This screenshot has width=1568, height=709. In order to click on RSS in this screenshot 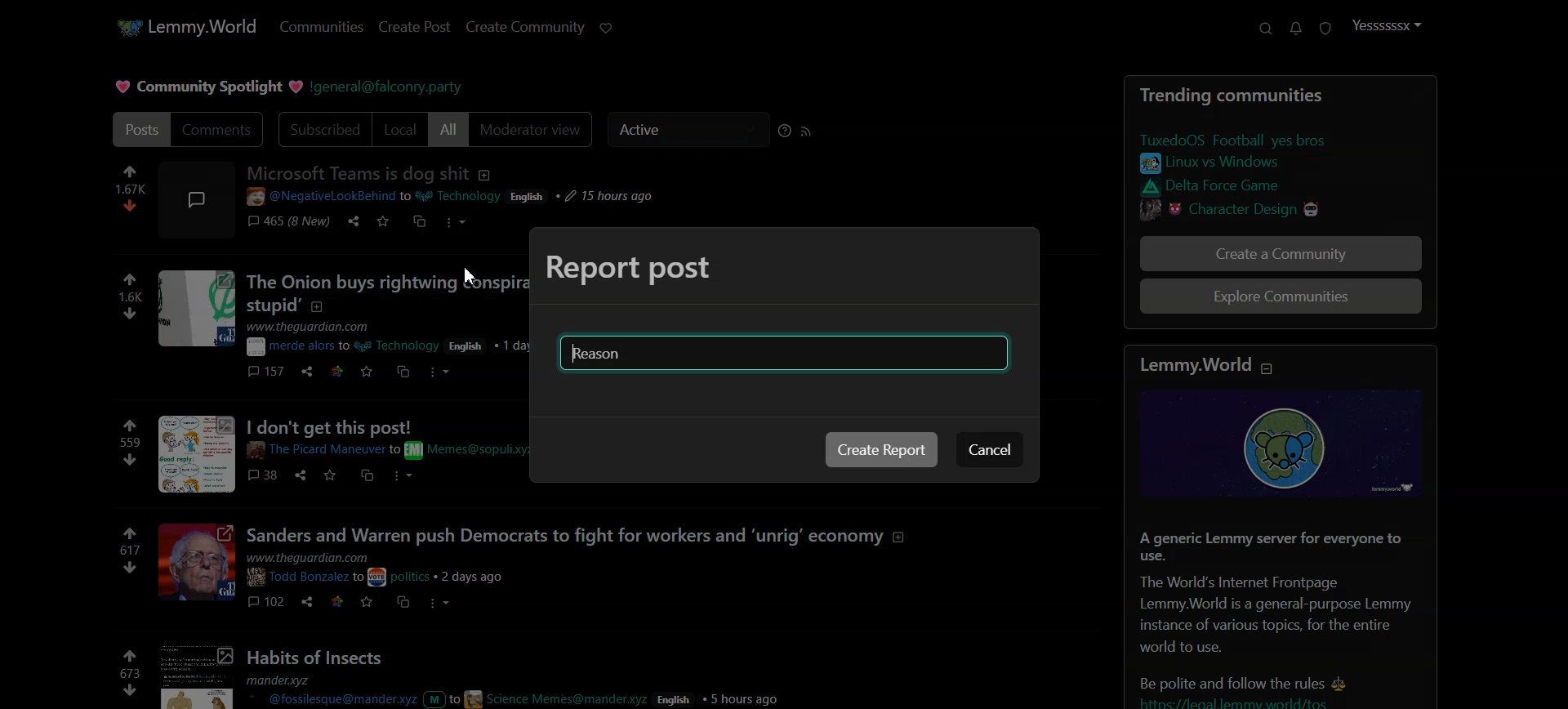, I will do `click(808, 130)`.